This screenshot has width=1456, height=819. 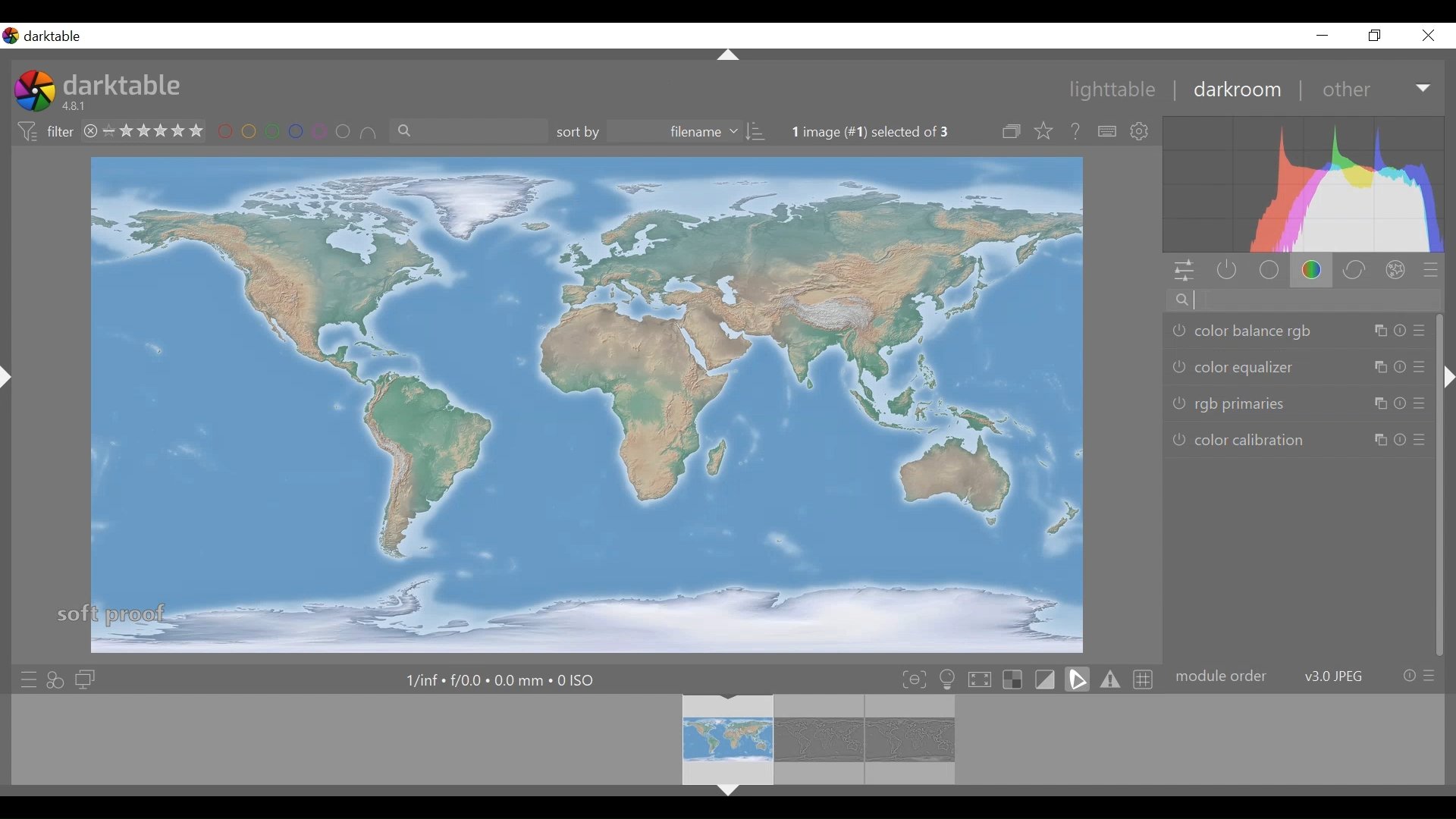 What do you see at coordinates (948, 680) in the screenshot?
I see `toggle IS 12646 color assessments conditions` at bounding box center [948, 680].